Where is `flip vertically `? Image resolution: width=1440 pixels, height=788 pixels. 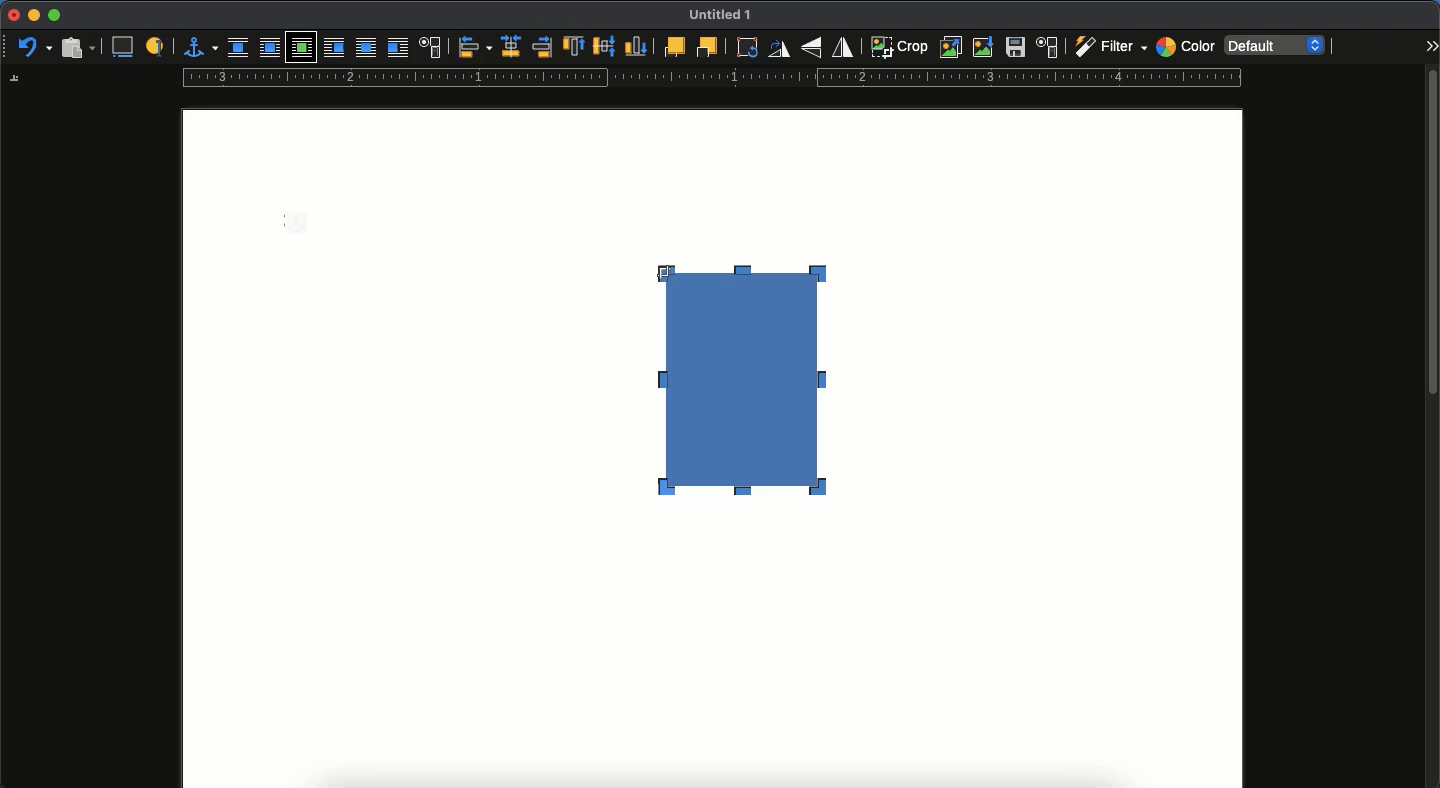
flip vertically  is located at coordinates (814, 47).